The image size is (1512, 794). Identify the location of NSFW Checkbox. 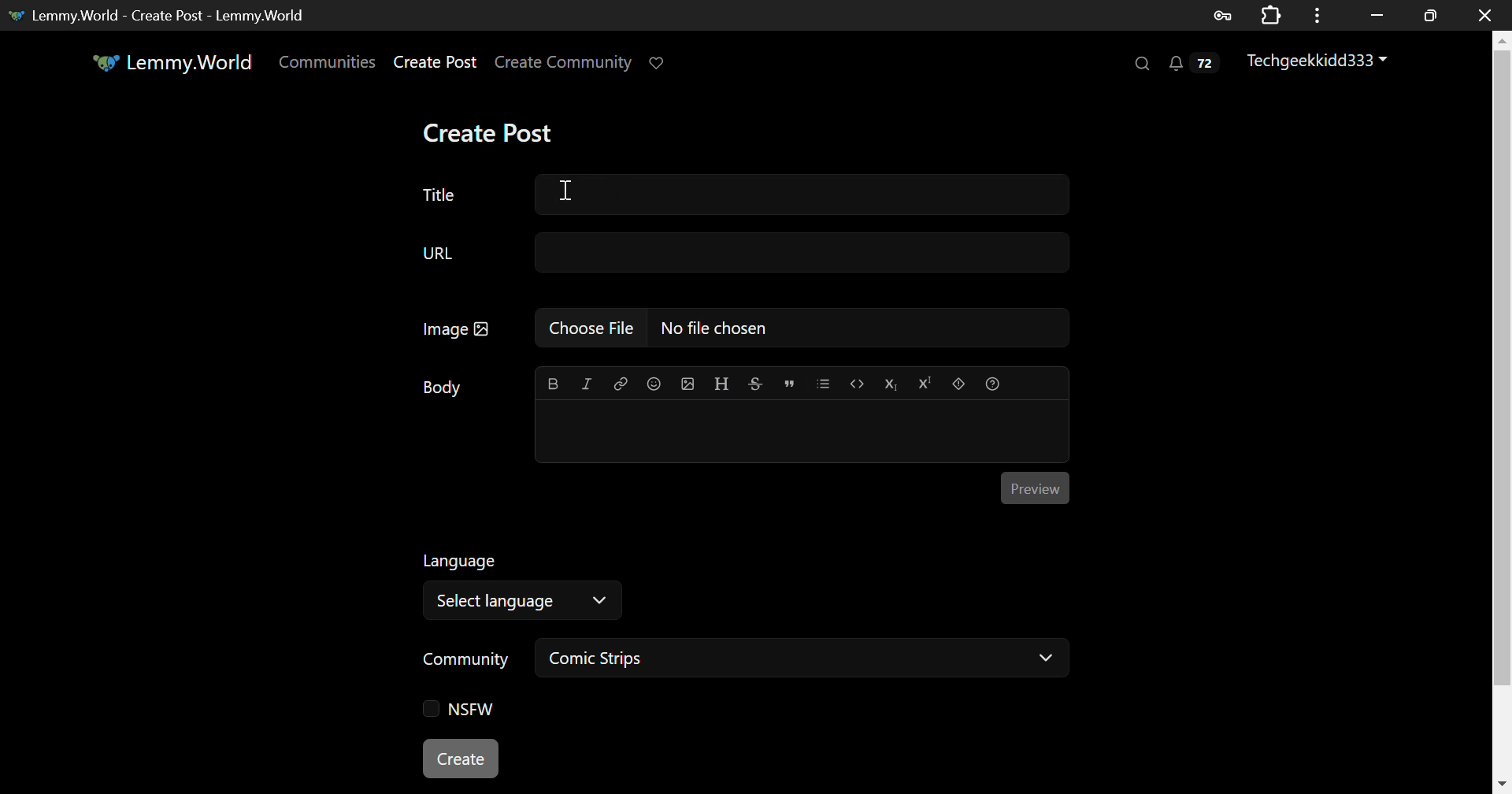
(459, 711).